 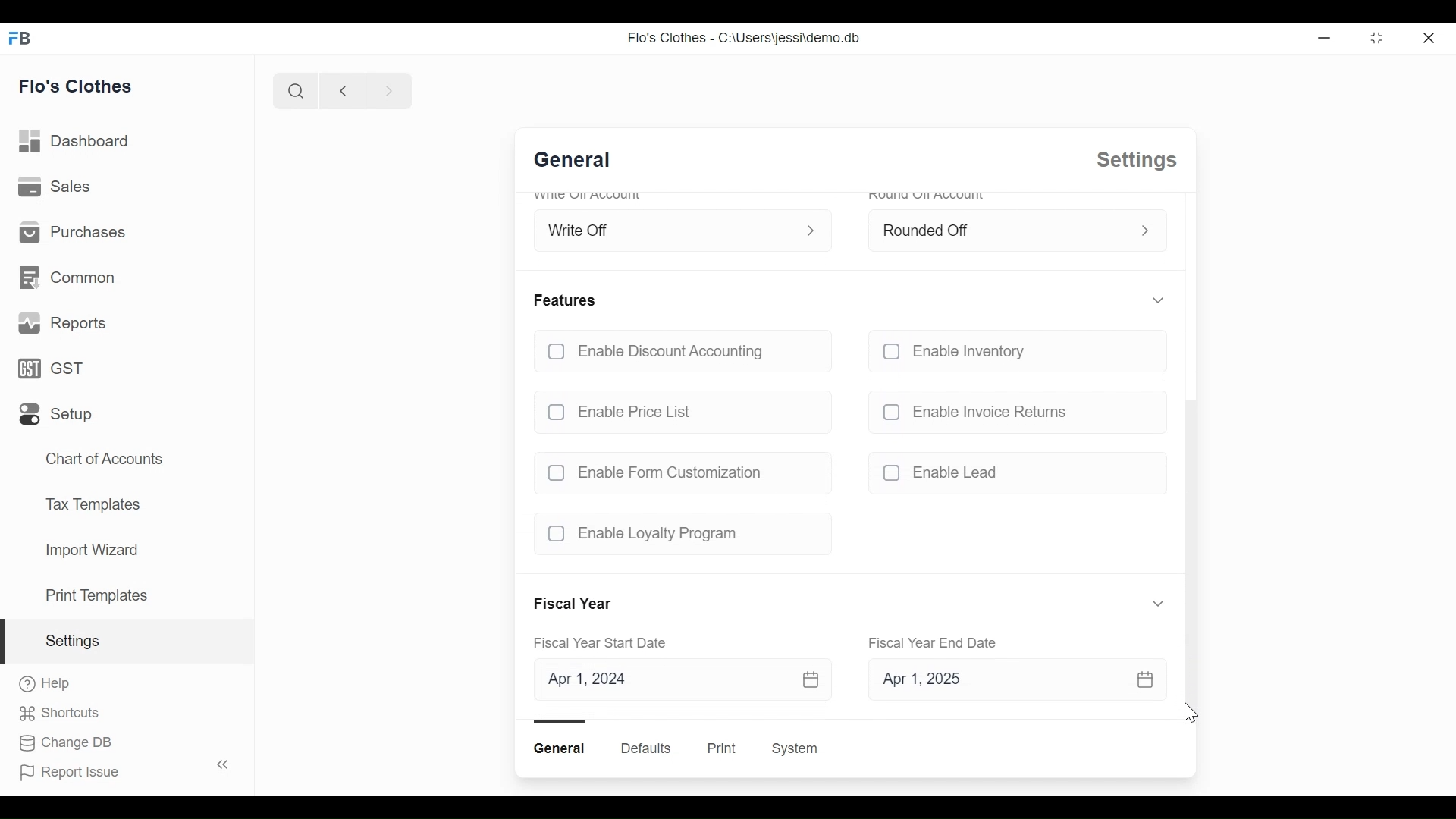 I want to click on Report Issue, so click(x=121, y=769).